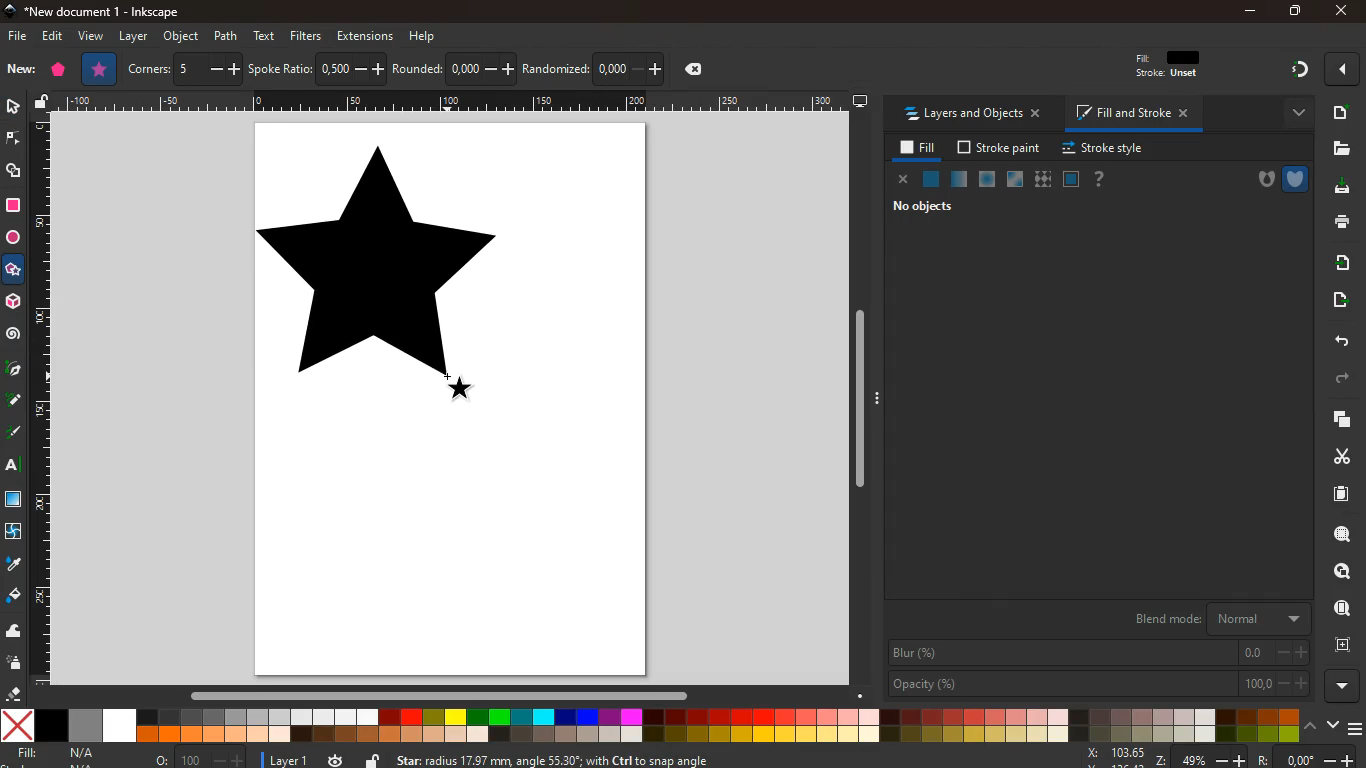 This screenshot has width=1366, height=768. I want to click on filters, so click(306, 35).